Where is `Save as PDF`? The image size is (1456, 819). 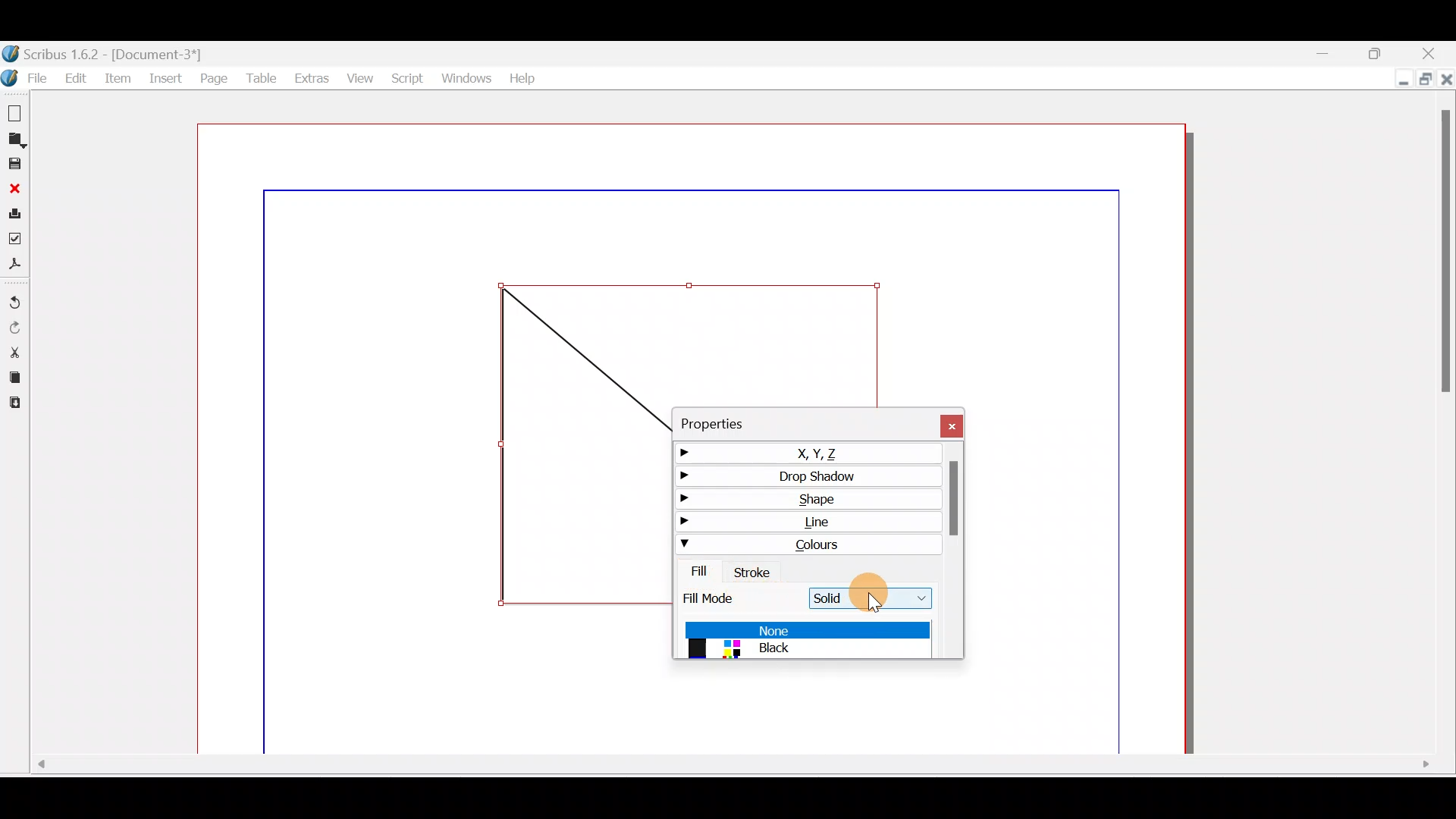 Save as PDF is located at coordinates (17, 263).